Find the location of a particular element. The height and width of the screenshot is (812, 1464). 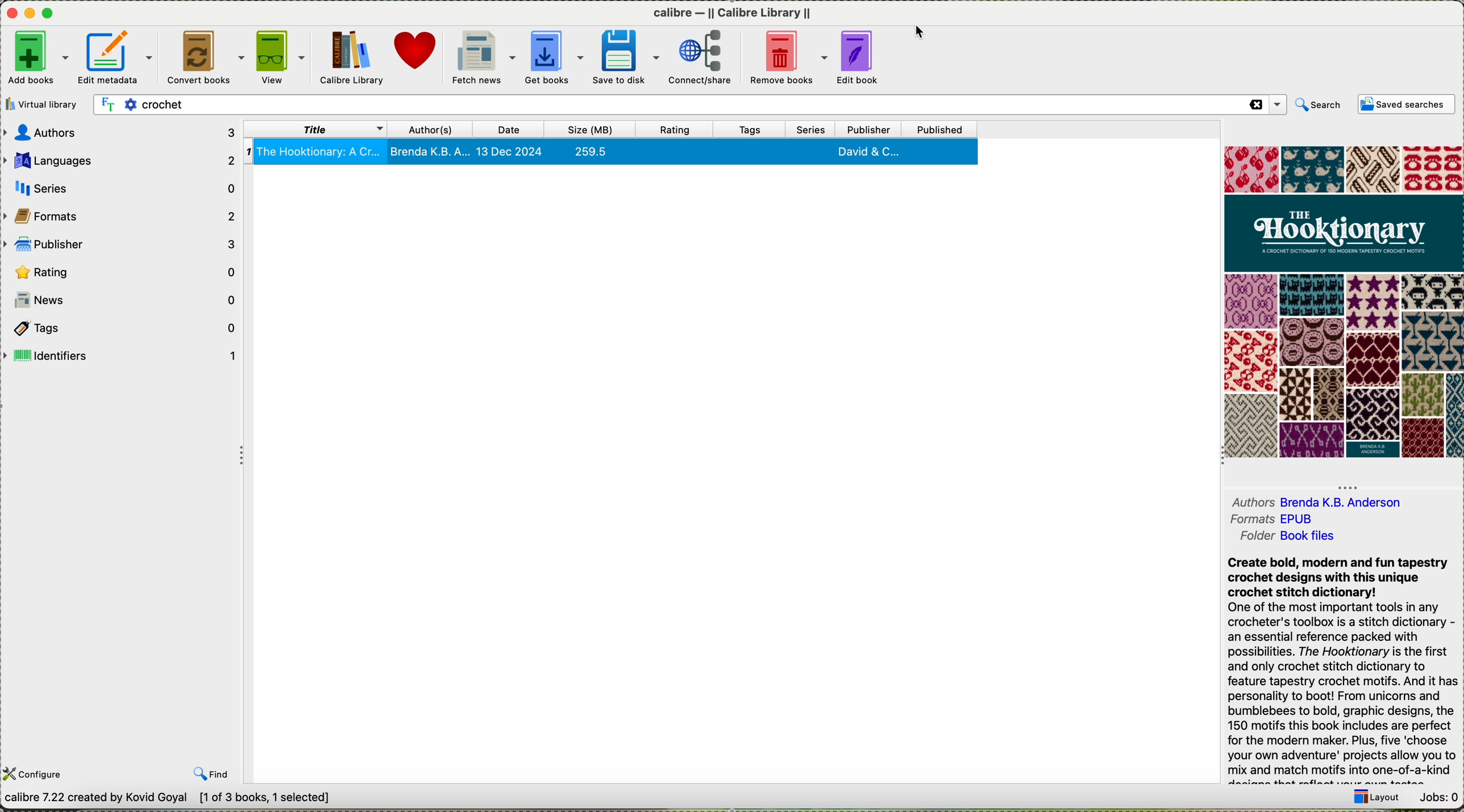

delete search is located at coordinates (1255, 105).